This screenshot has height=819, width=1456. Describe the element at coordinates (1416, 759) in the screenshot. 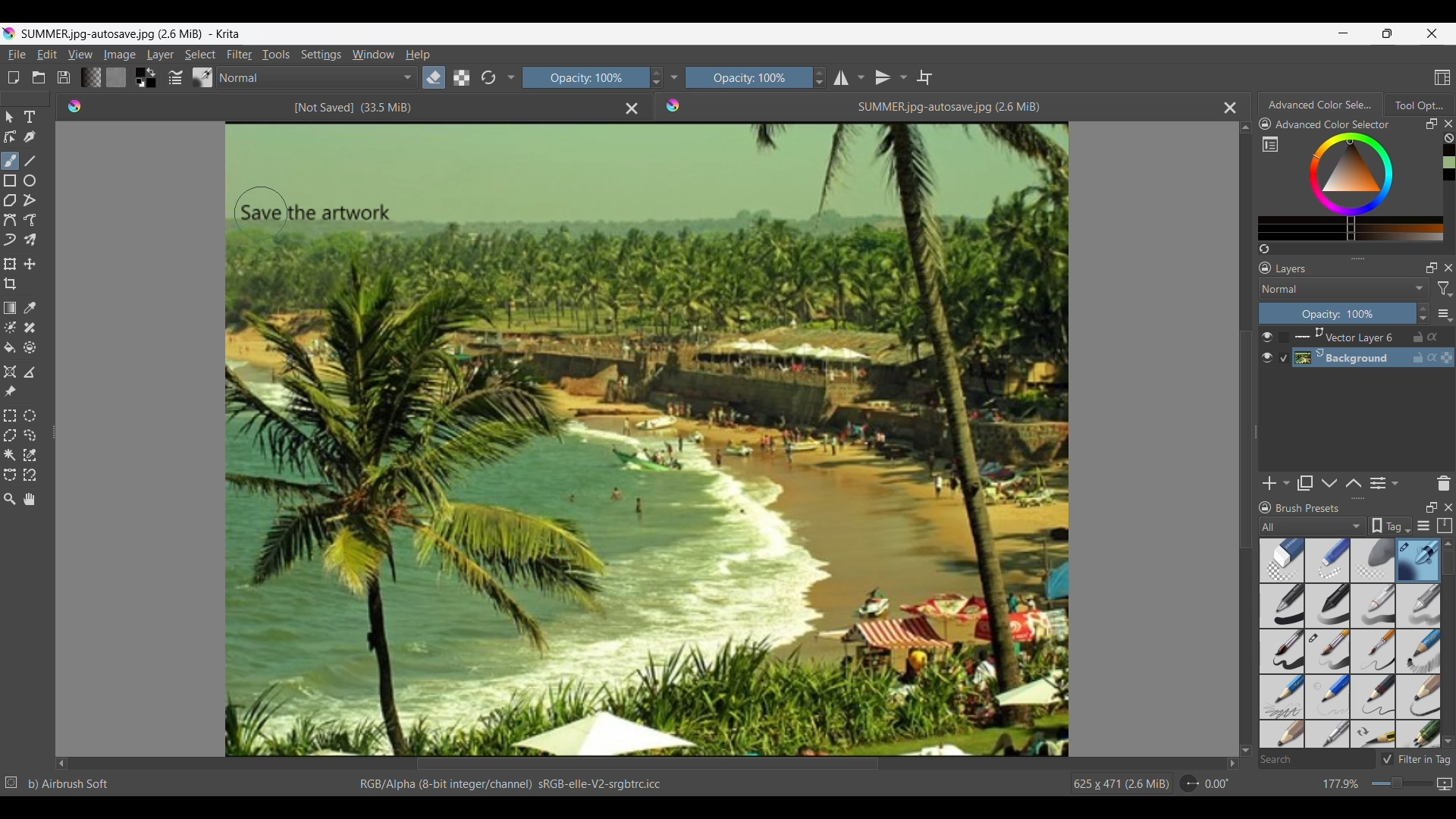

I see `Filter in Tag` at that location.